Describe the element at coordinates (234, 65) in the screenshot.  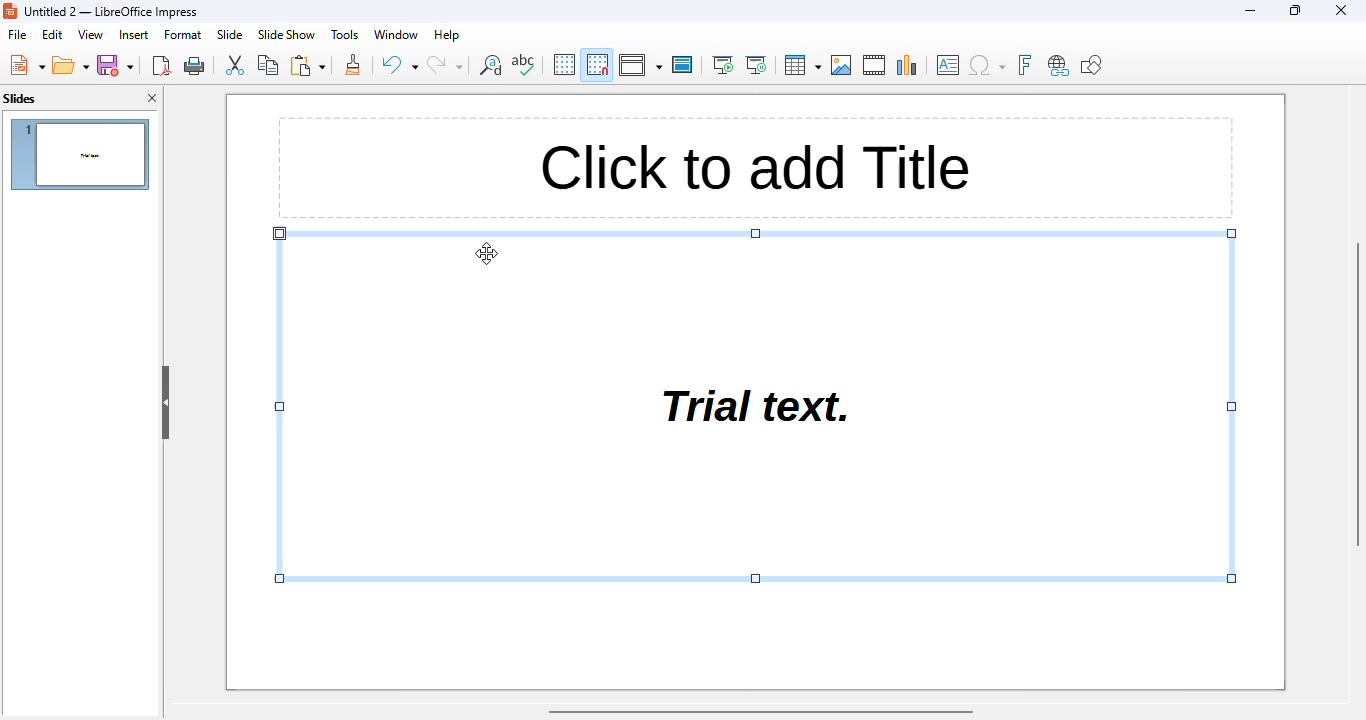
I see `cut` at that location.